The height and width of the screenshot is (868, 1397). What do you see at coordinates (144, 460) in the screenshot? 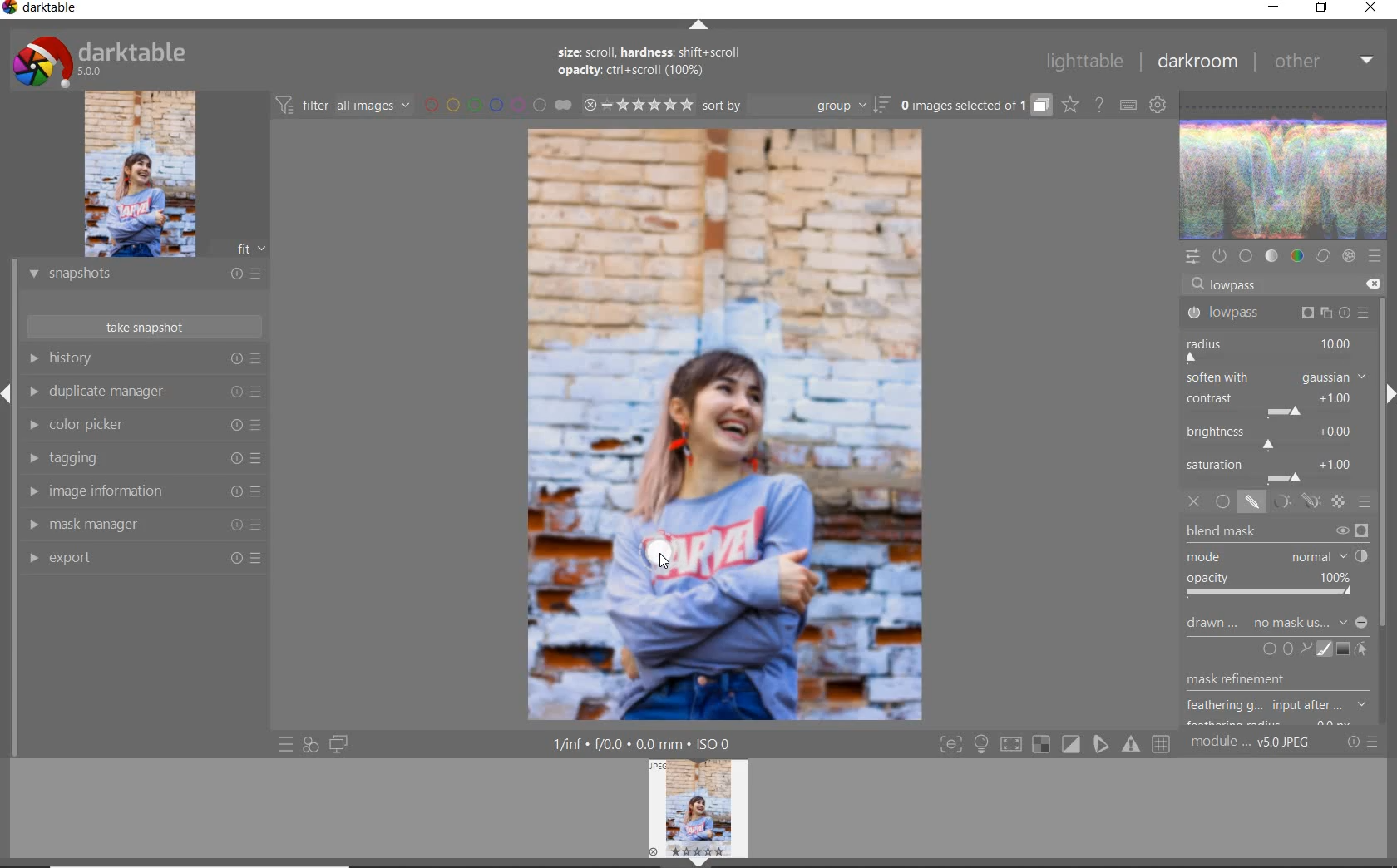
I see `tagging` at bounding box center [144, 460].